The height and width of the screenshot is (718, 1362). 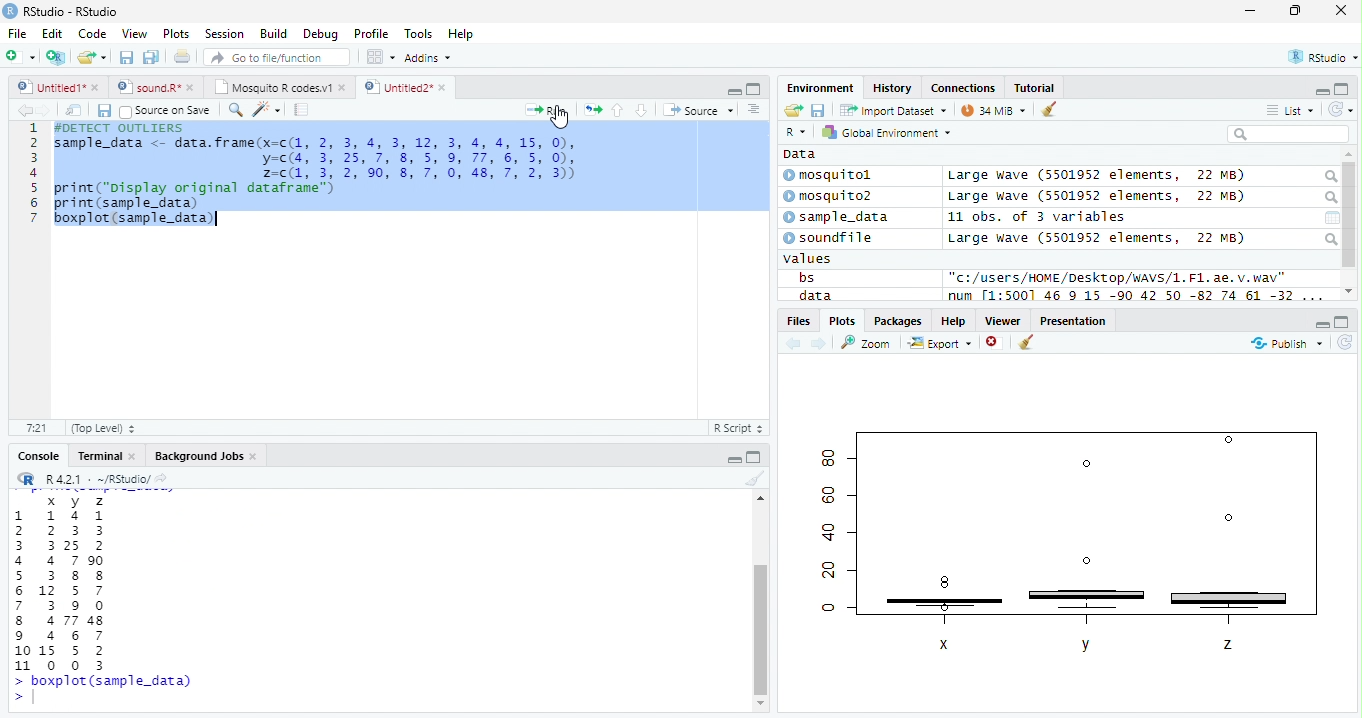 What do you see at coordinates (797, 321) in the screenshot?
I see `Files` at bounding box center [797, 321].